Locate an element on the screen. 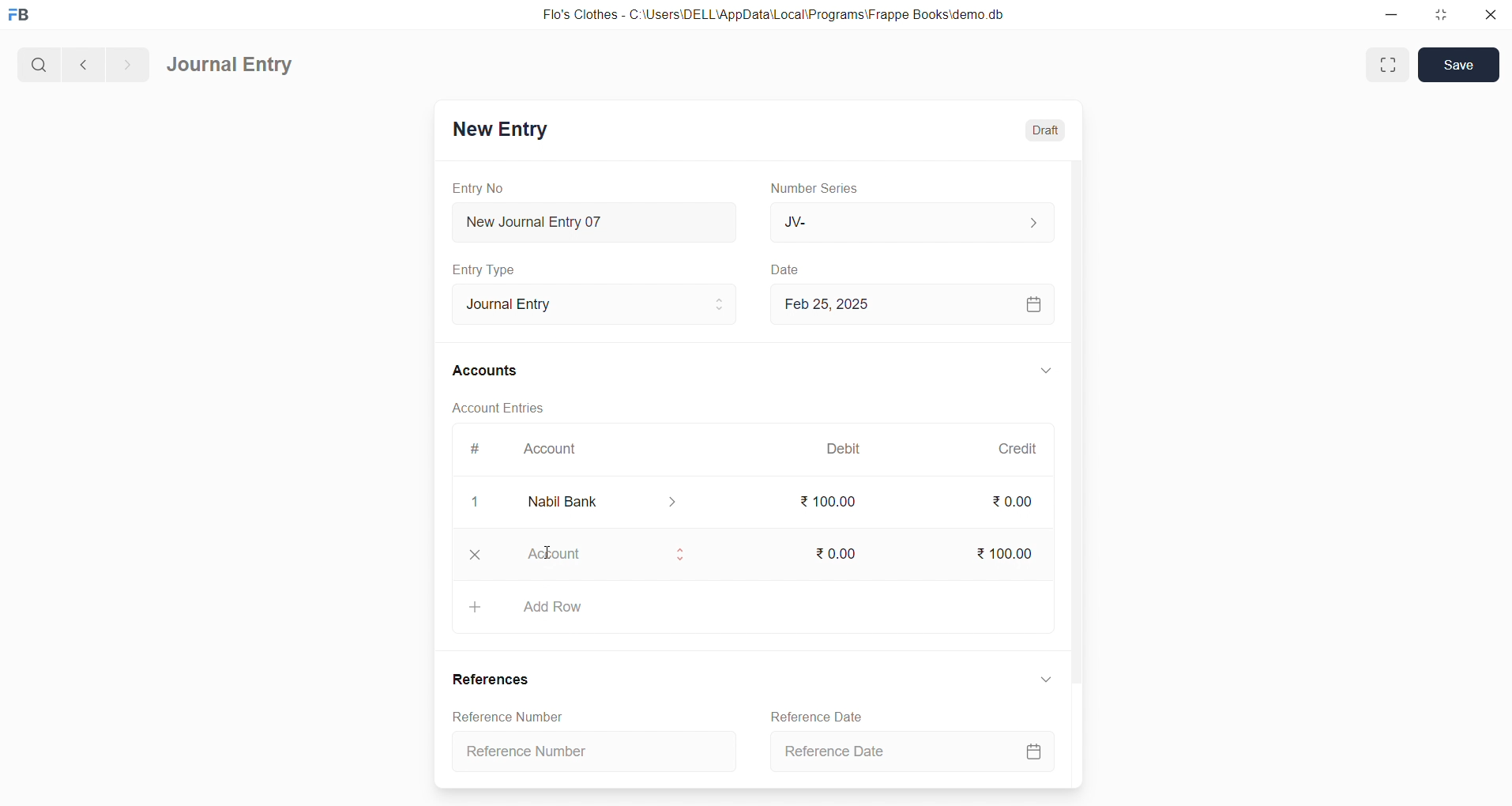  Reference Date is located at coordinates (916, 751).